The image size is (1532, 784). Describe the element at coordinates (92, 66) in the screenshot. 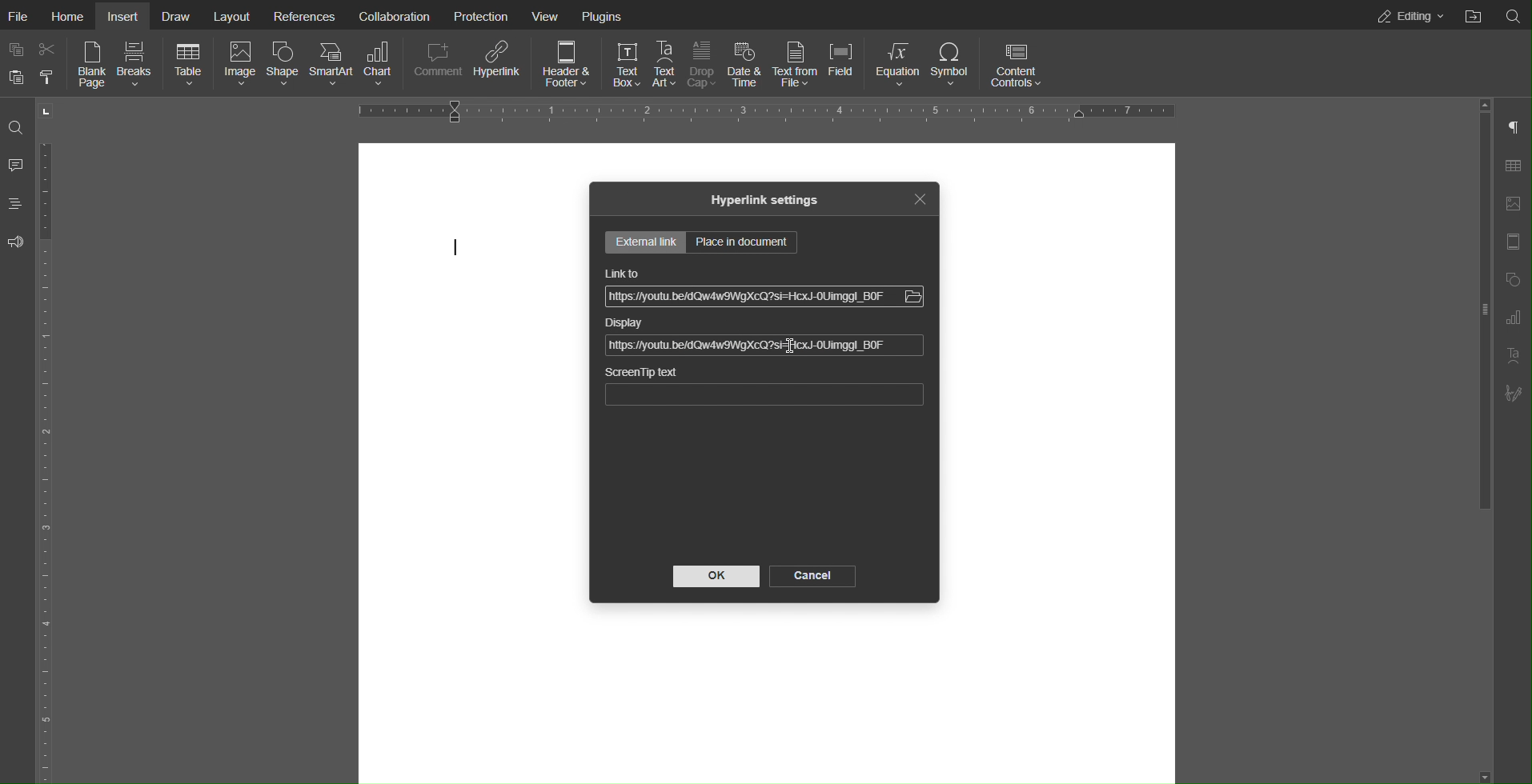

I see `Blank Page` at that location.